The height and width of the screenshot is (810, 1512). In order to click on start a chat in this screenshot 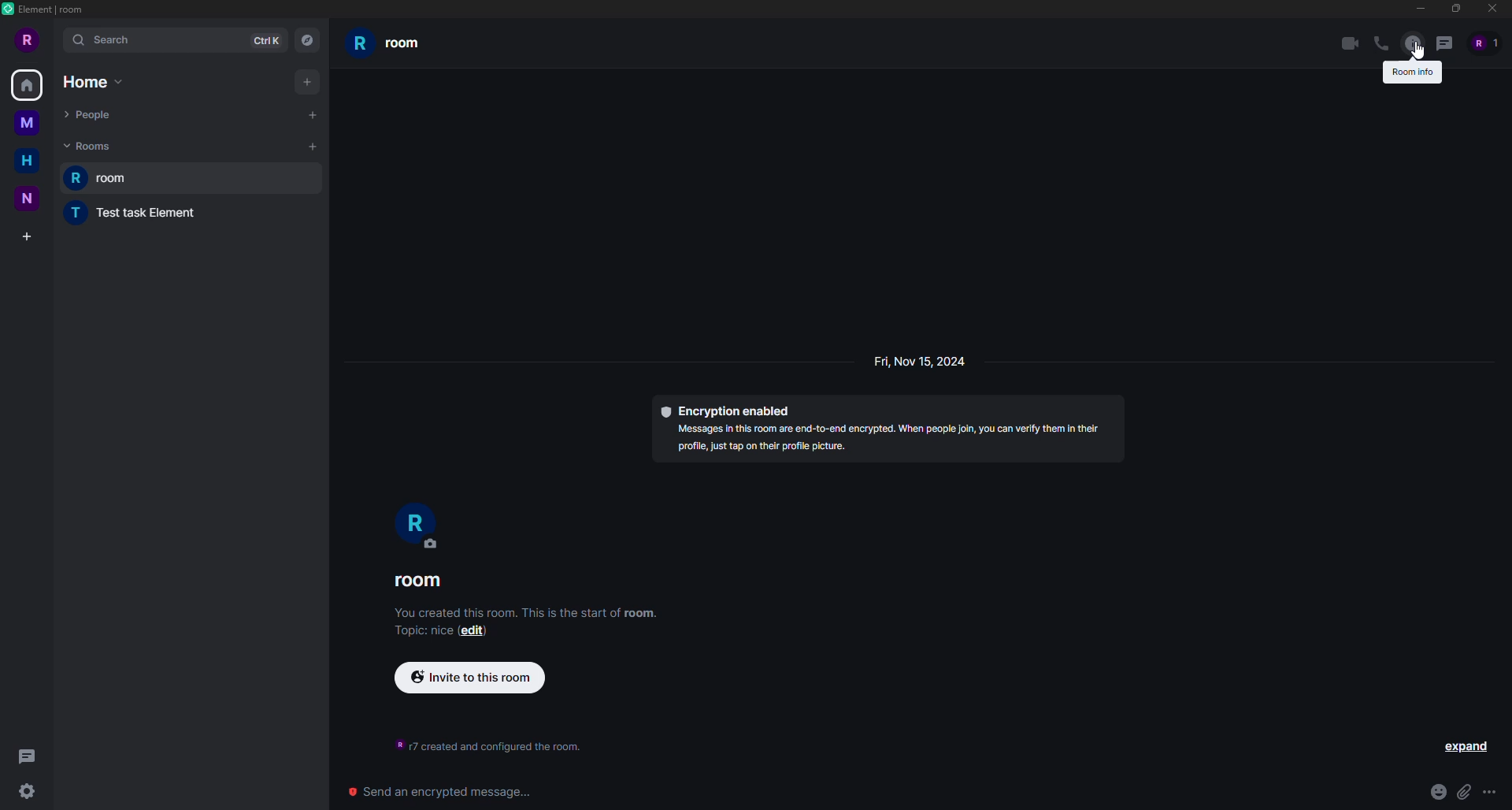, I will do `click(309, 115)`.